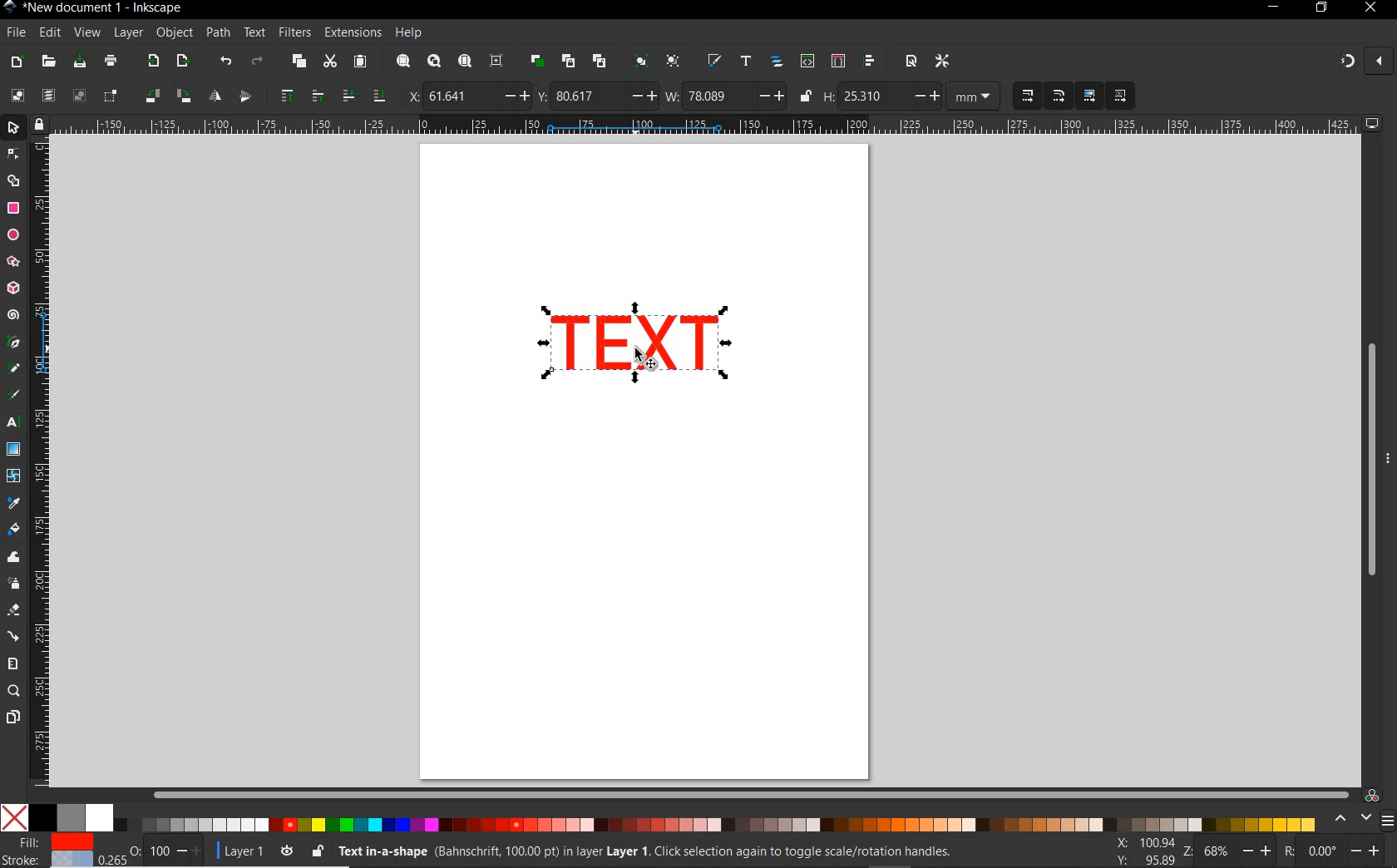 This screenshot has width=1397, height=868. What do you see at coordinates (109, 62) in the screenshot?
I see `print` at bounding box center [109, 62].